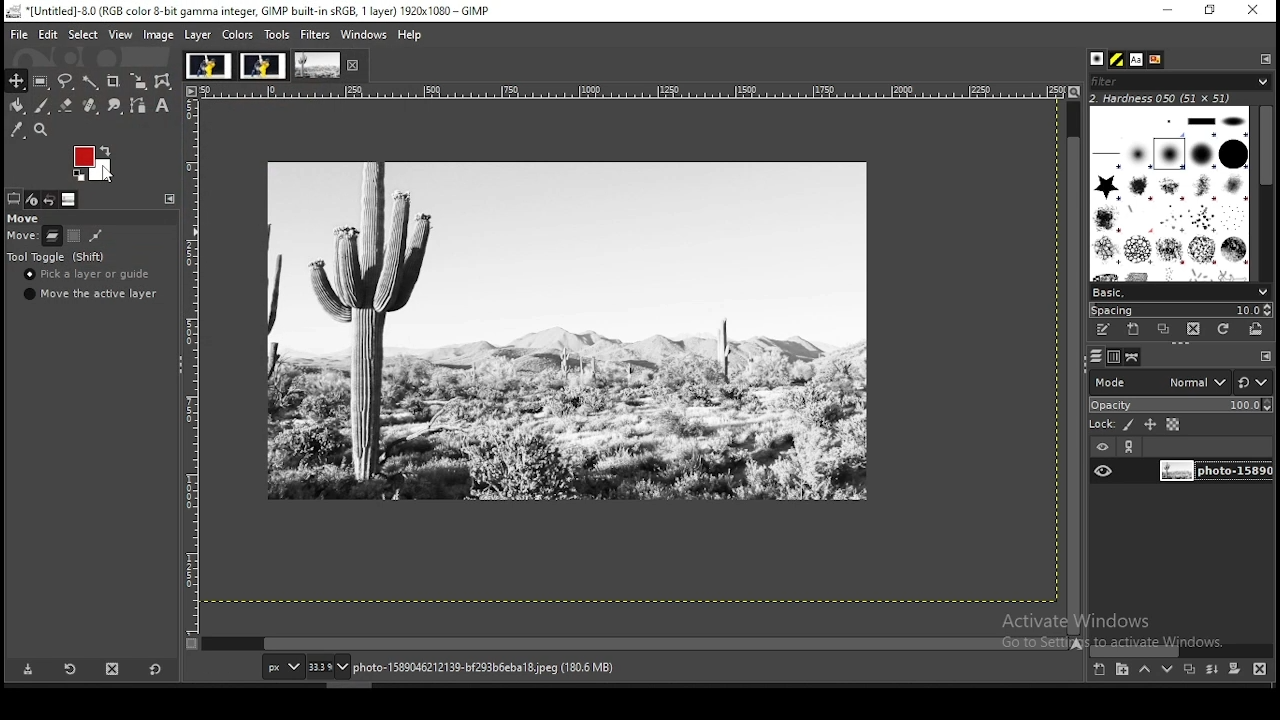 This screenshot has height=720, width=1280. What do you see at coordinates (1099, 59) in the screenshot?
I see `brushes` at bounding box center [1099, 59].